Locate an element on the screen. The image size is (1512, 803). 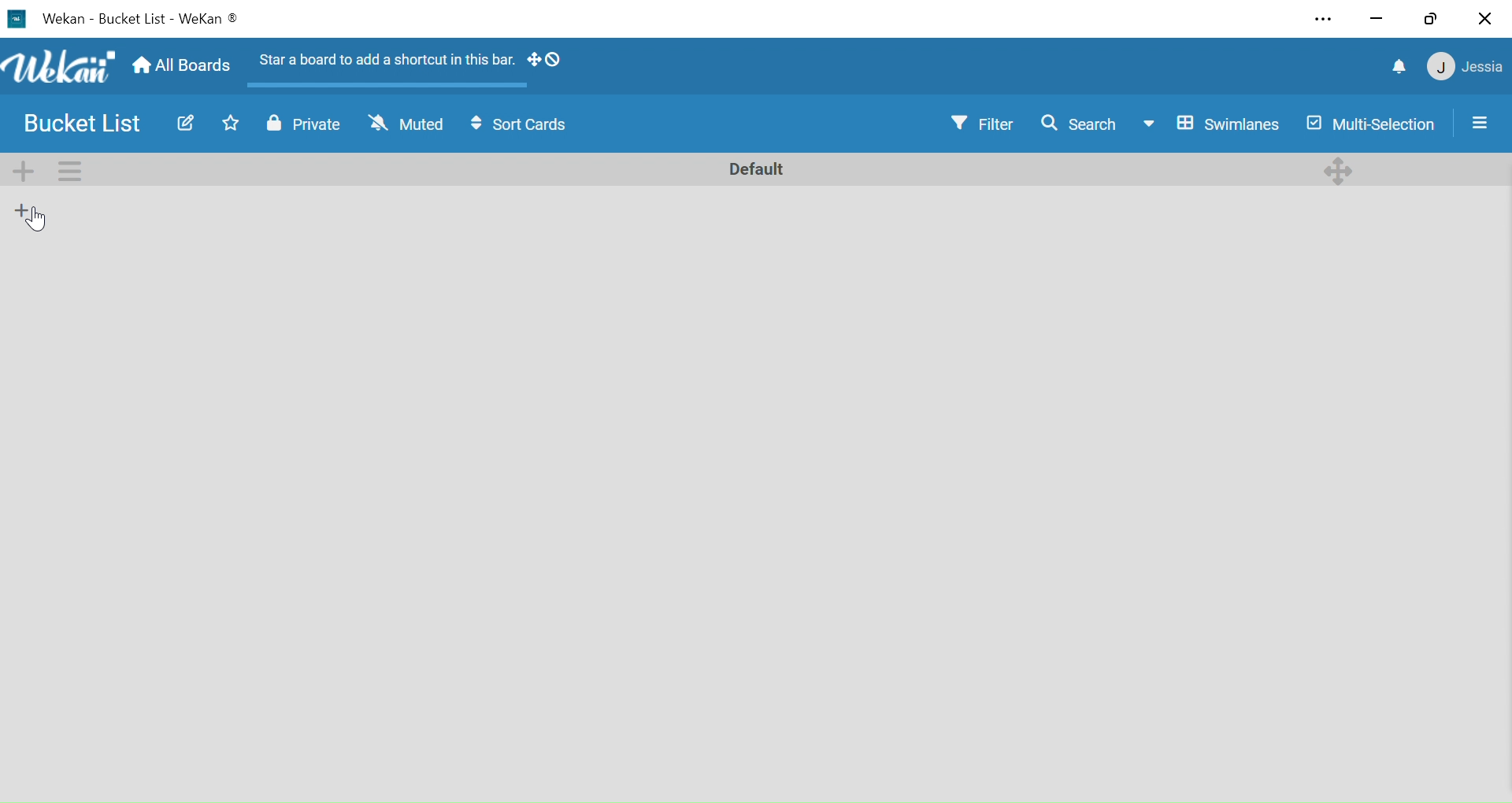
Toggle handle on/off is located at coordinates (545, 62).